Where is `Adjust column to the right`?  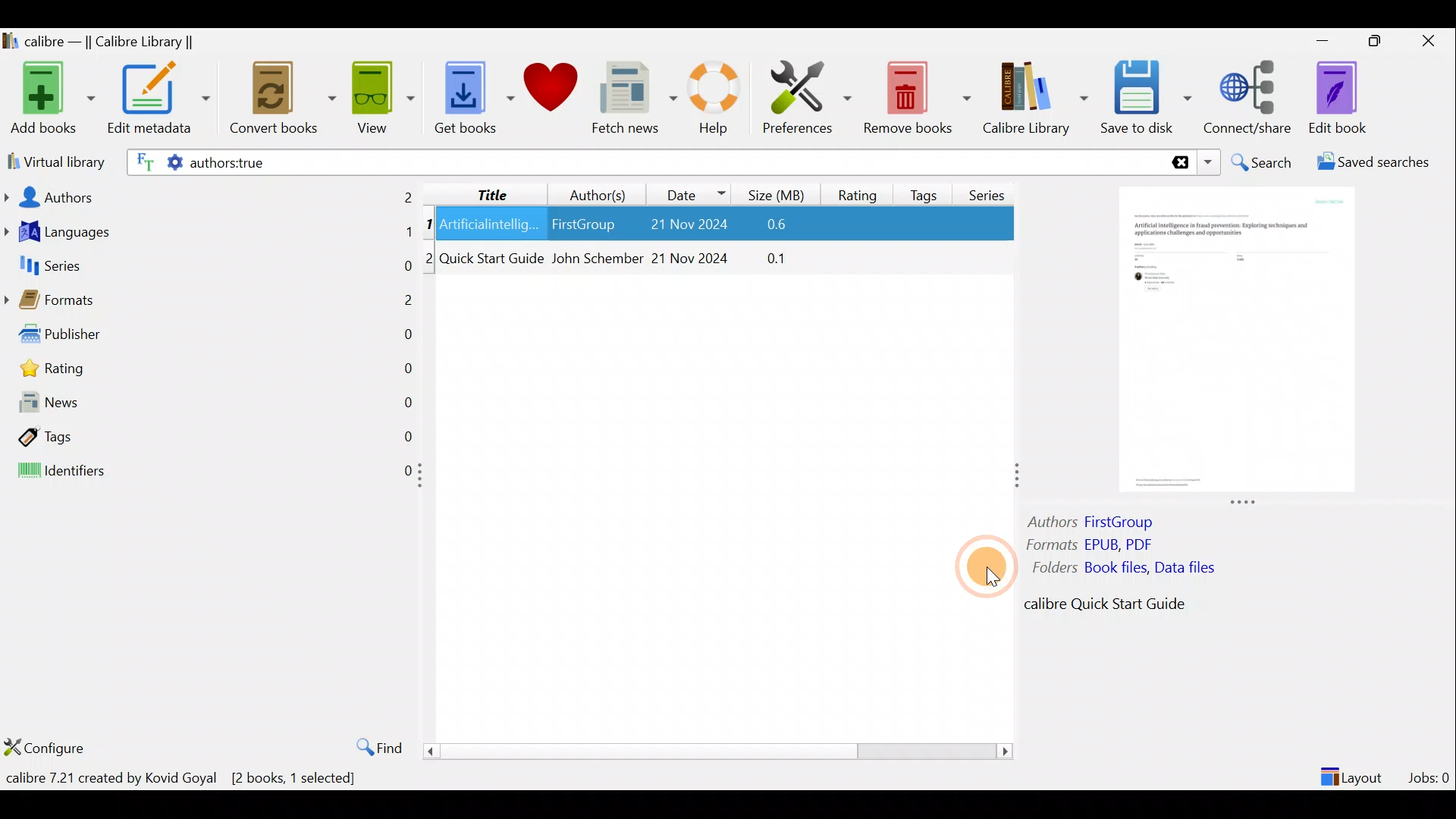 Adjust column to the right is located at coordinates (1018, 477).